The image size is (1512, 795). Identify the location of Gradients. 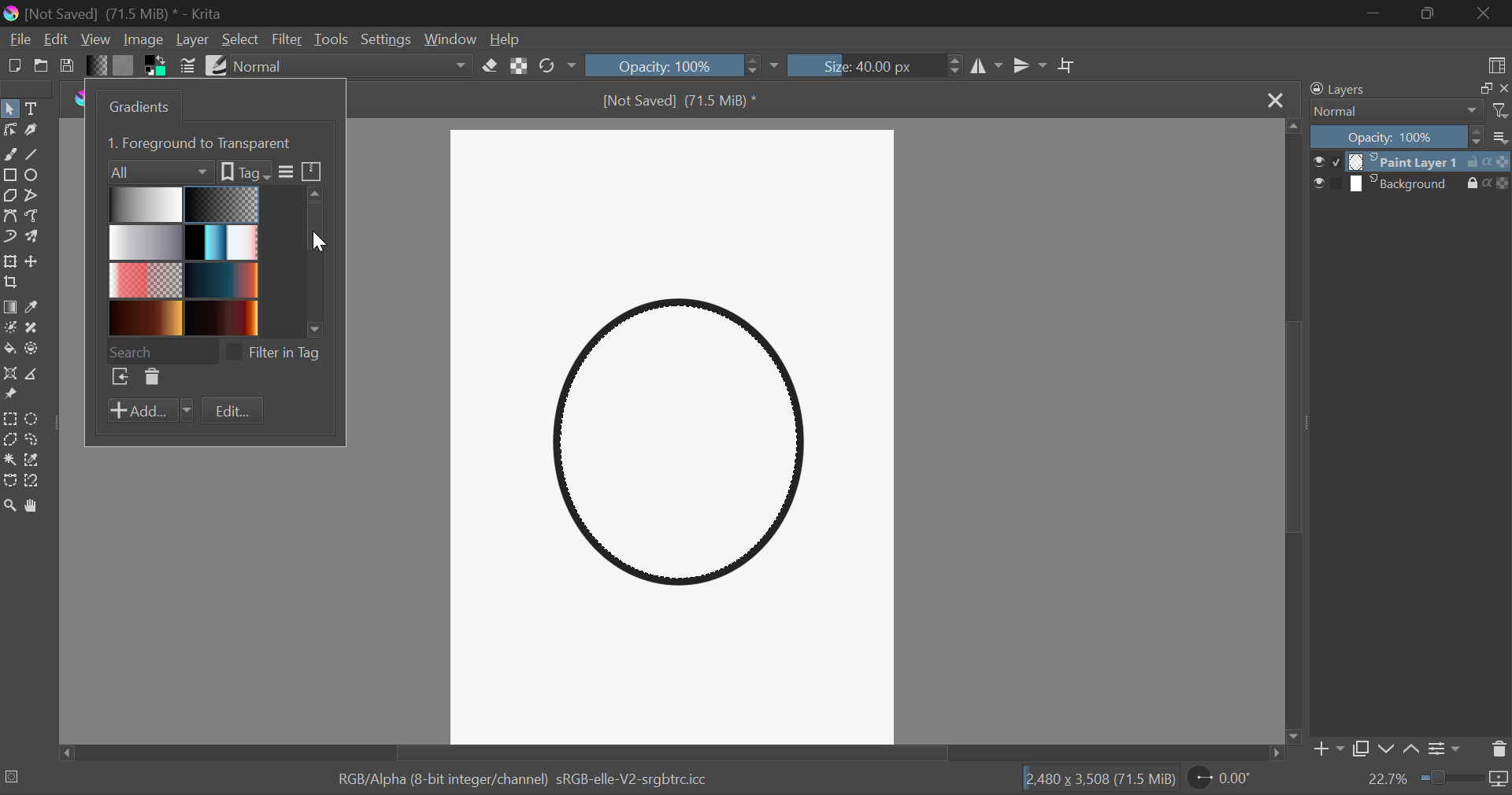
(183, 261).